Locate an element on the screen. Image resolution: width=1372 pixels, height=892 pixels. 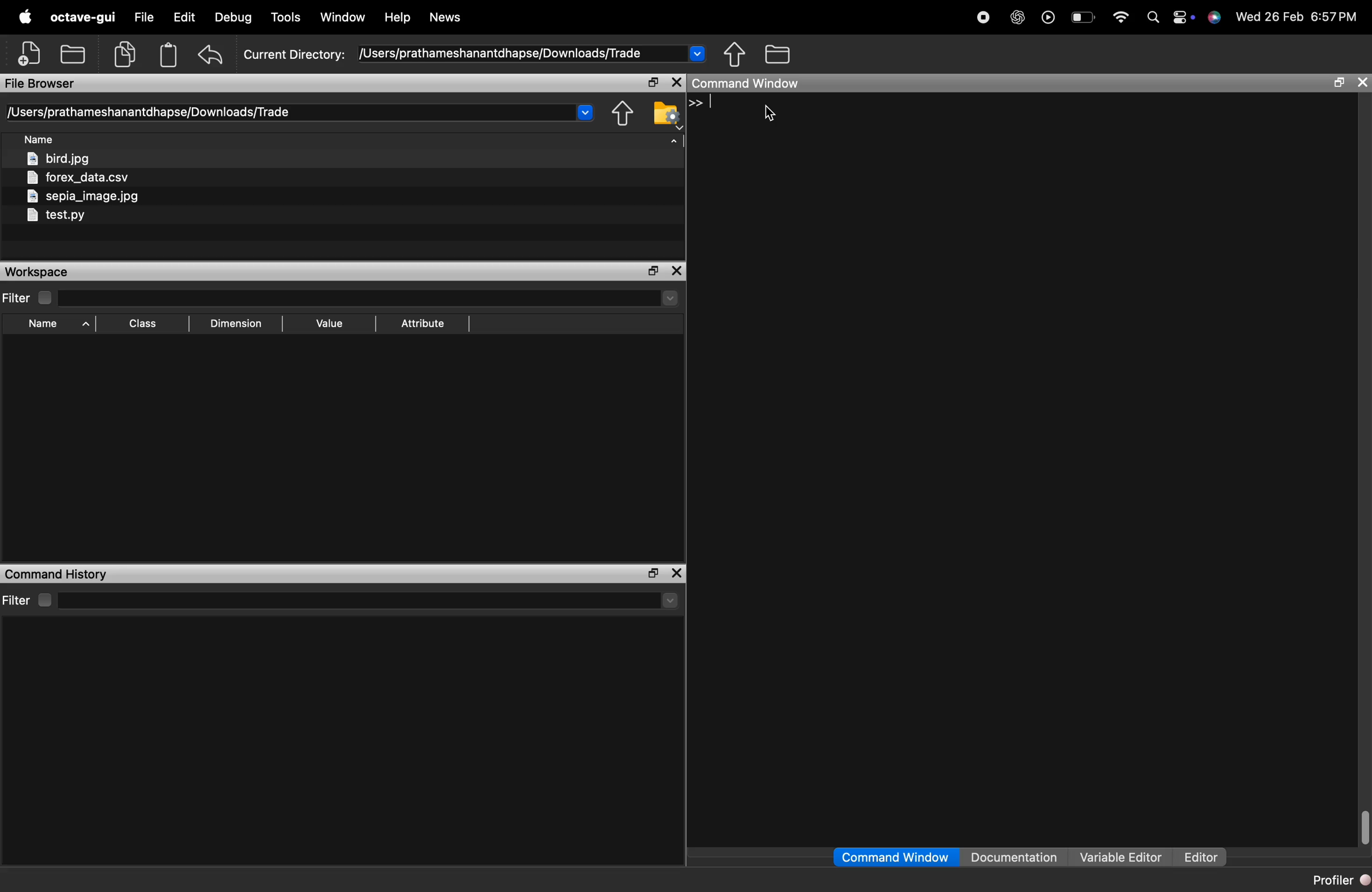
line 1 is located at coordinates (702, 103).